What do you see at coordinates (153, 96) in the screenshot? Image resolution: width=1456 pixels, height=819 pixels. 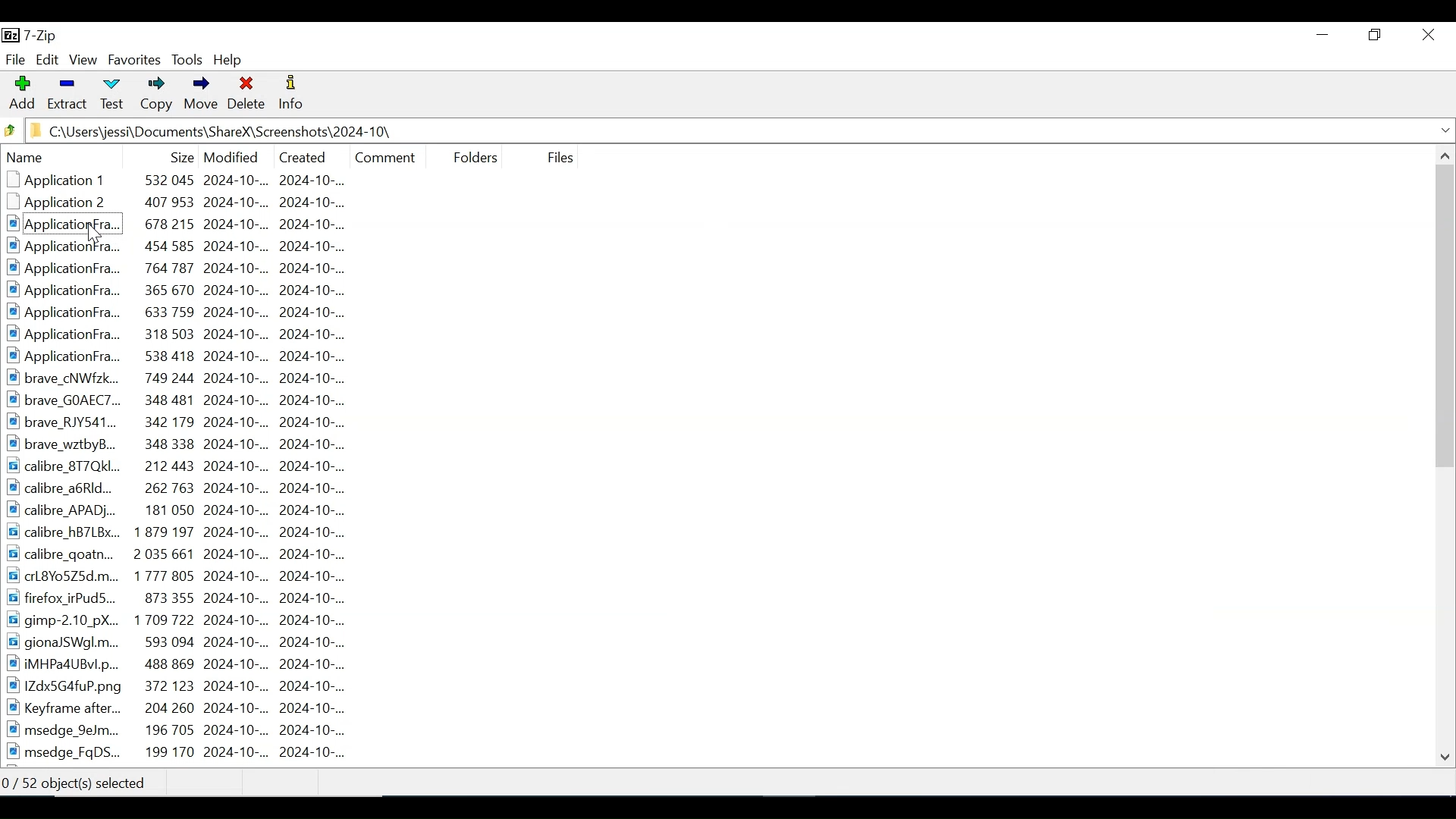 I see `Copy` at bounding box center [153, 96].